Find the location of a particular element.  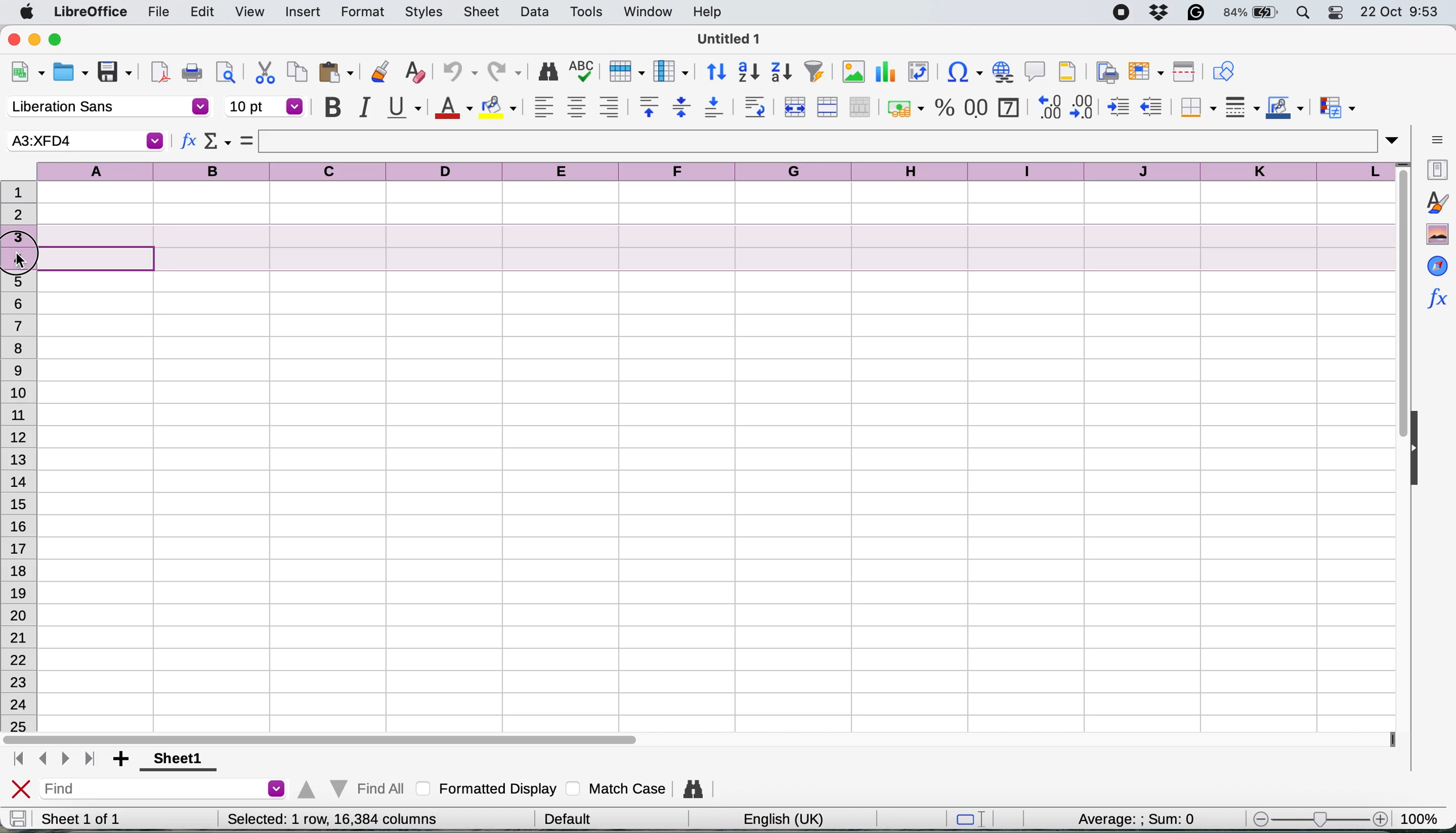

help is located at coordinates (710, 11).